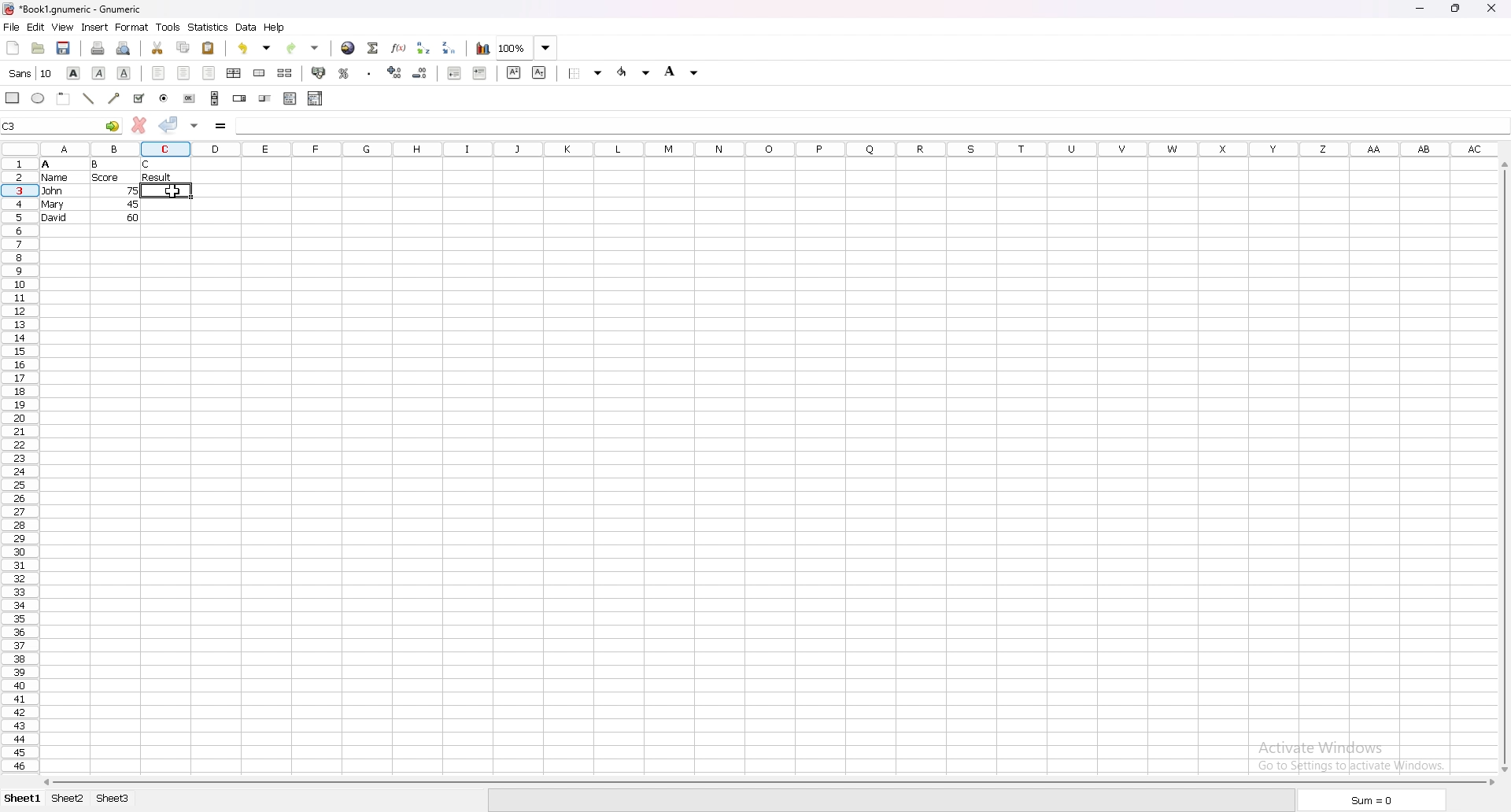 Image resolution: width=1511 pixels, height=812 pixels. What do you see at coordinates (1420, 8) in the screenshot?
I see `minimize` at bounding box center [1420, 8].